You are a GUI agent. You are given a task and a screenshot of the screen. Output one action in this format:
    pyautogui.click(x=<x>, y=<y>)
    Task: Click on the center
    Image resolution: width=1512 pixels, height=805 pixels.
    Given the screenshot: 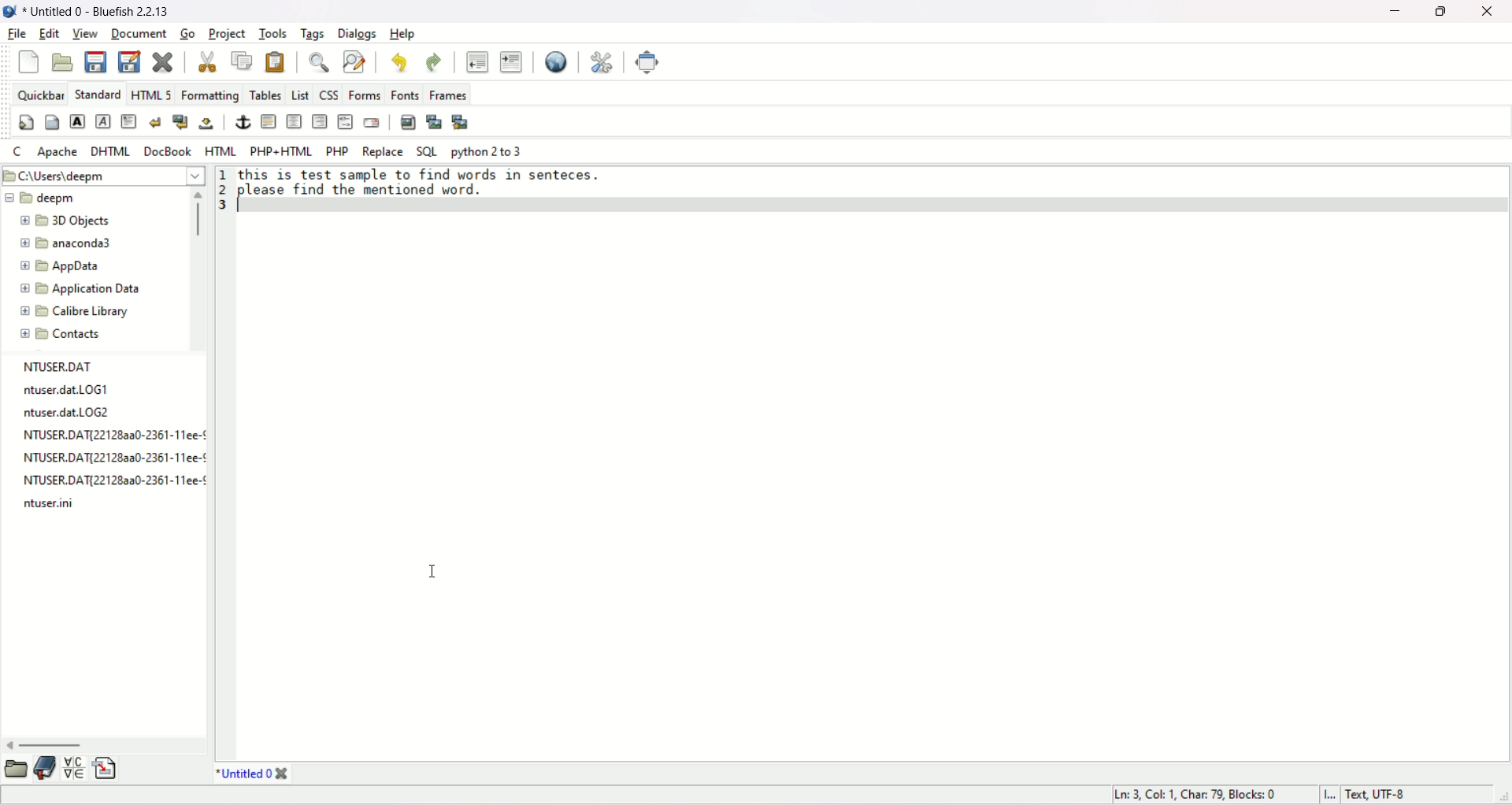 What is the action you would take?
    pyautogui.click(x=294, y=121)
    